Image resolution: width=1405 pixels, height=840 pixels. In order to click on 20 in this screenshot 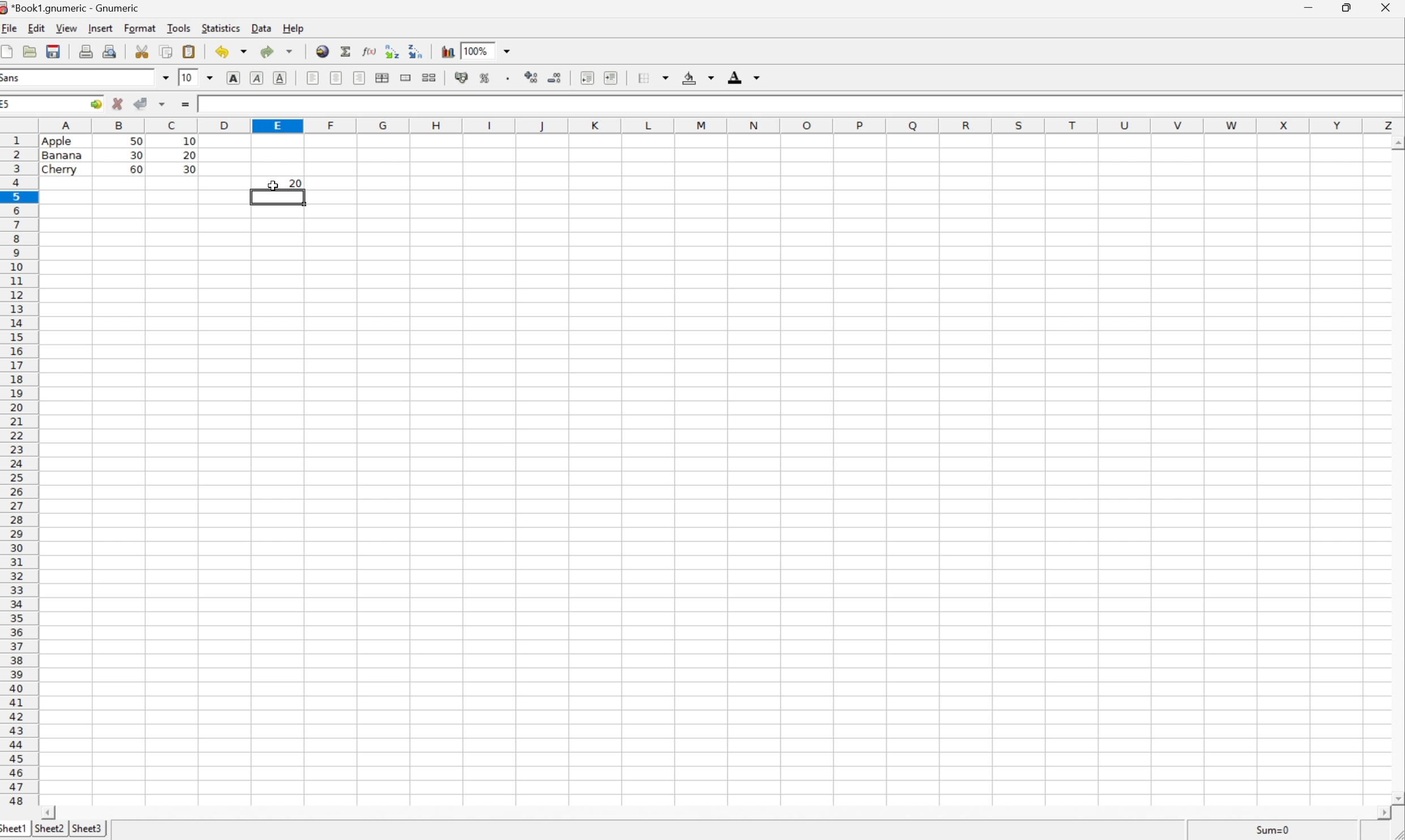, I will do `click(293, 183)`.